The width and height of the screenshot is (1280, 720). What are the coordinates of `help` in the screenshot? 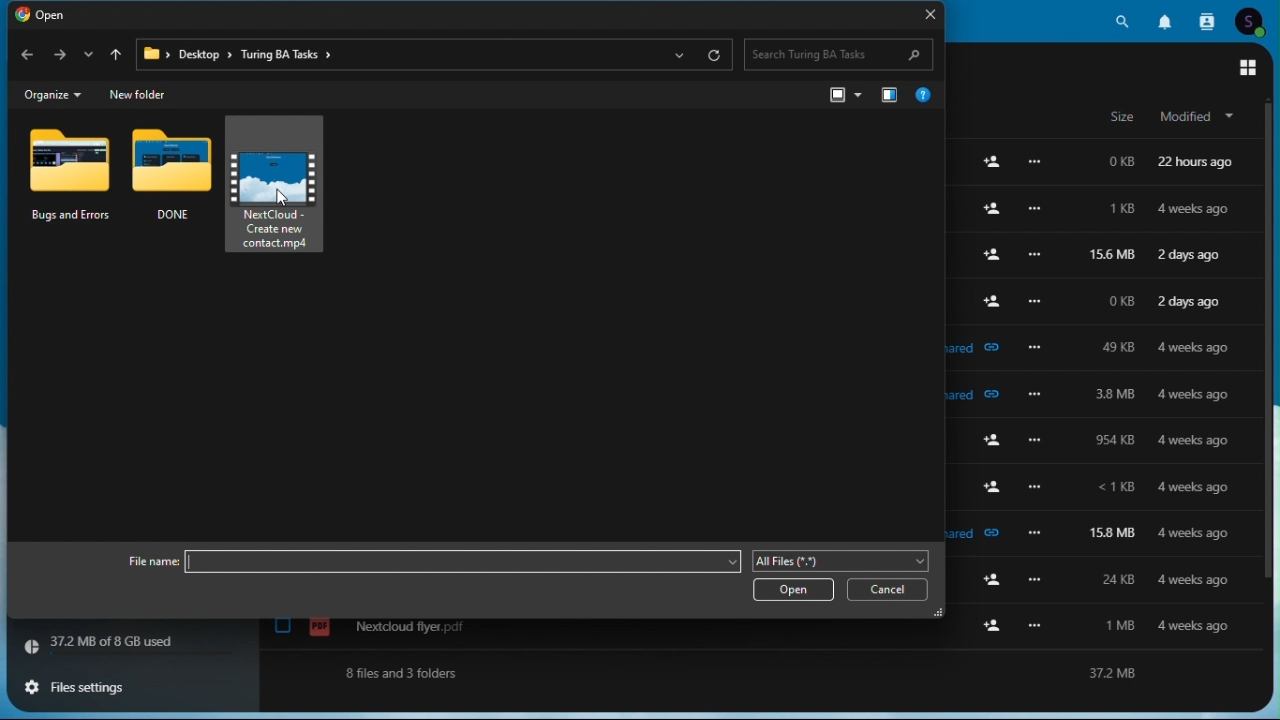 It's located at (927, 96).